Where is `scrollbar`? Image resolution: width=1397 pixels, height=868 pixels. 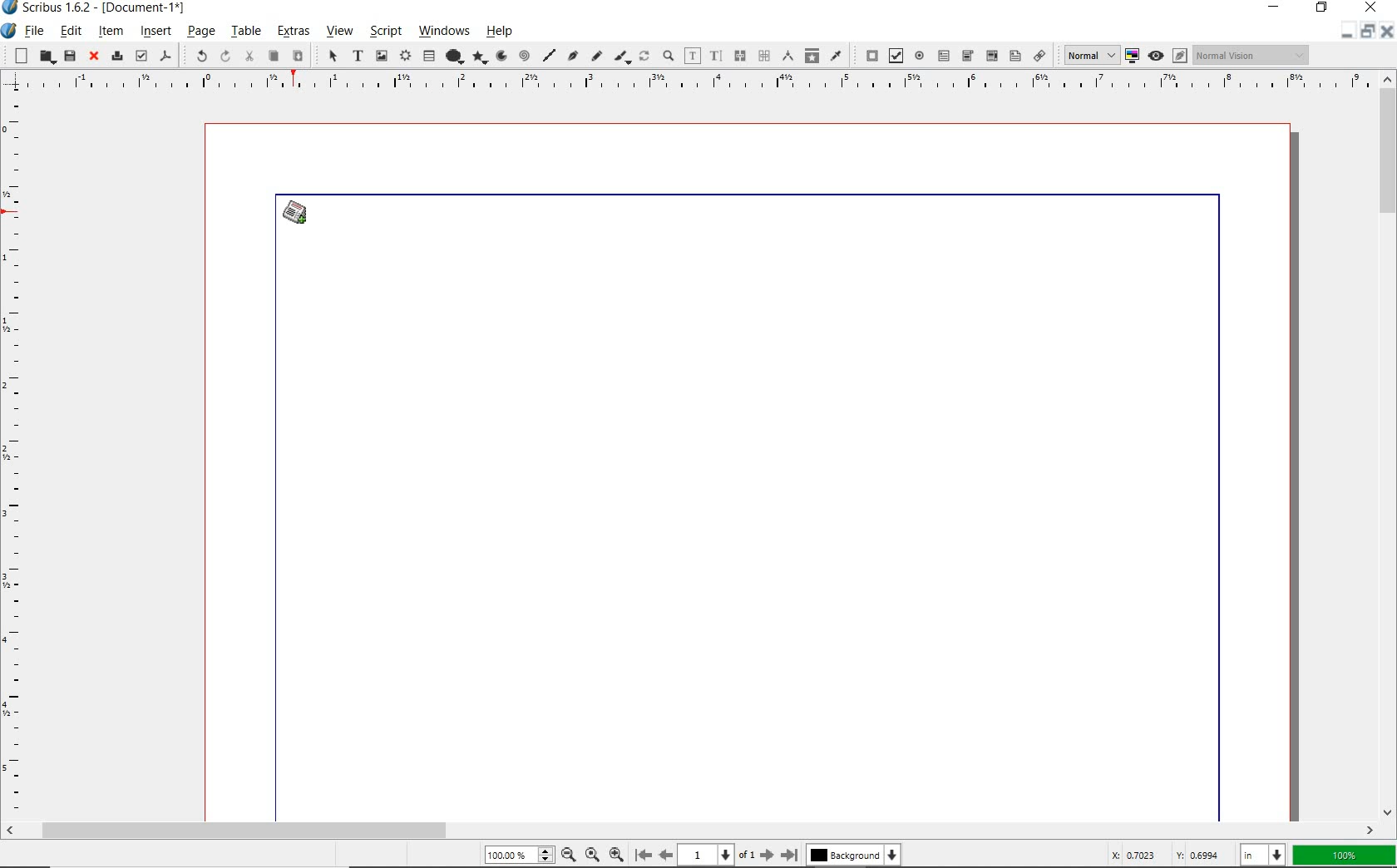
scrollbar is located at coordinates (690, 832).